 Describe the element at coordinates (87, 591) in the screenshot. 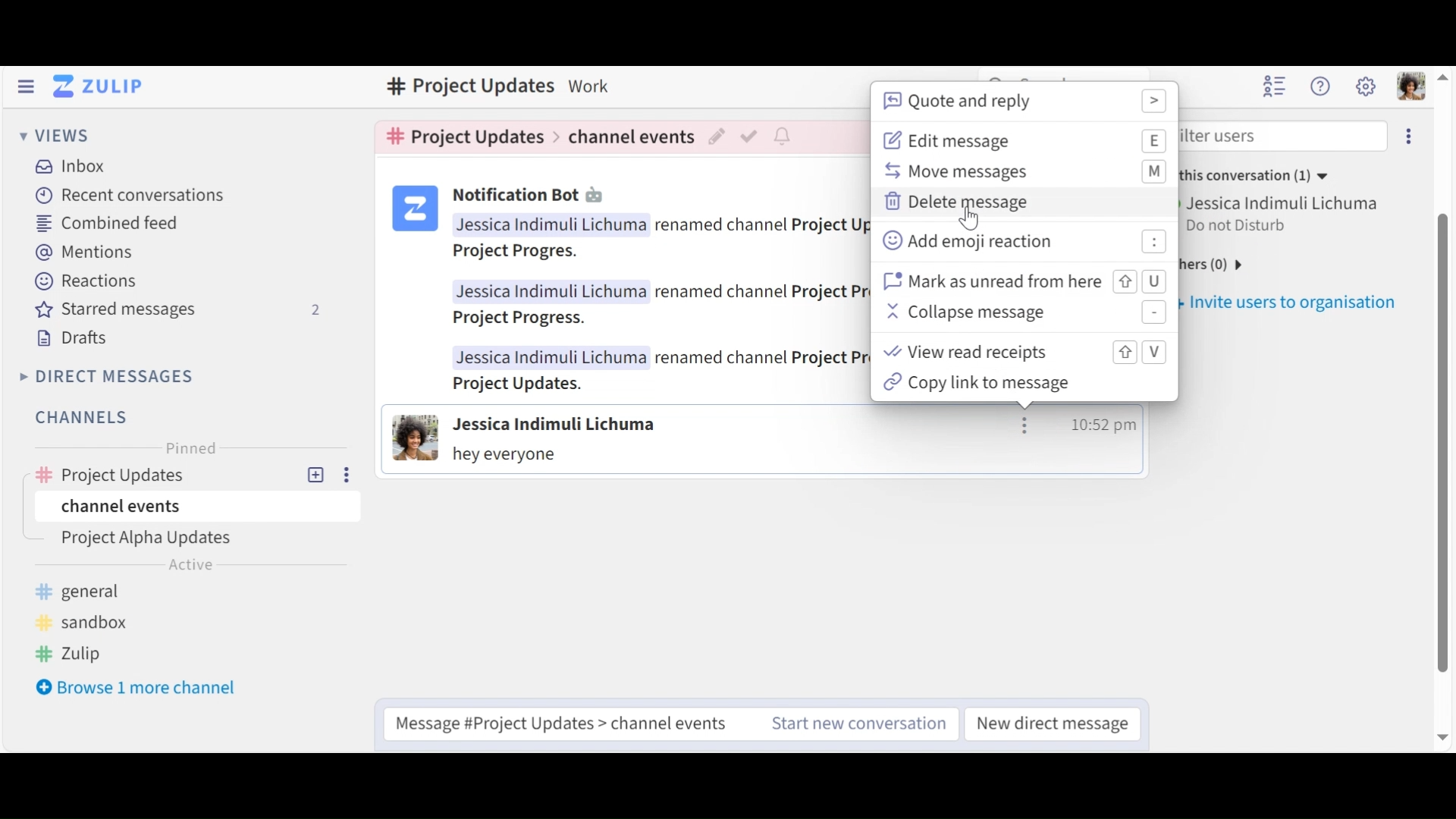

I see `general` at that location.